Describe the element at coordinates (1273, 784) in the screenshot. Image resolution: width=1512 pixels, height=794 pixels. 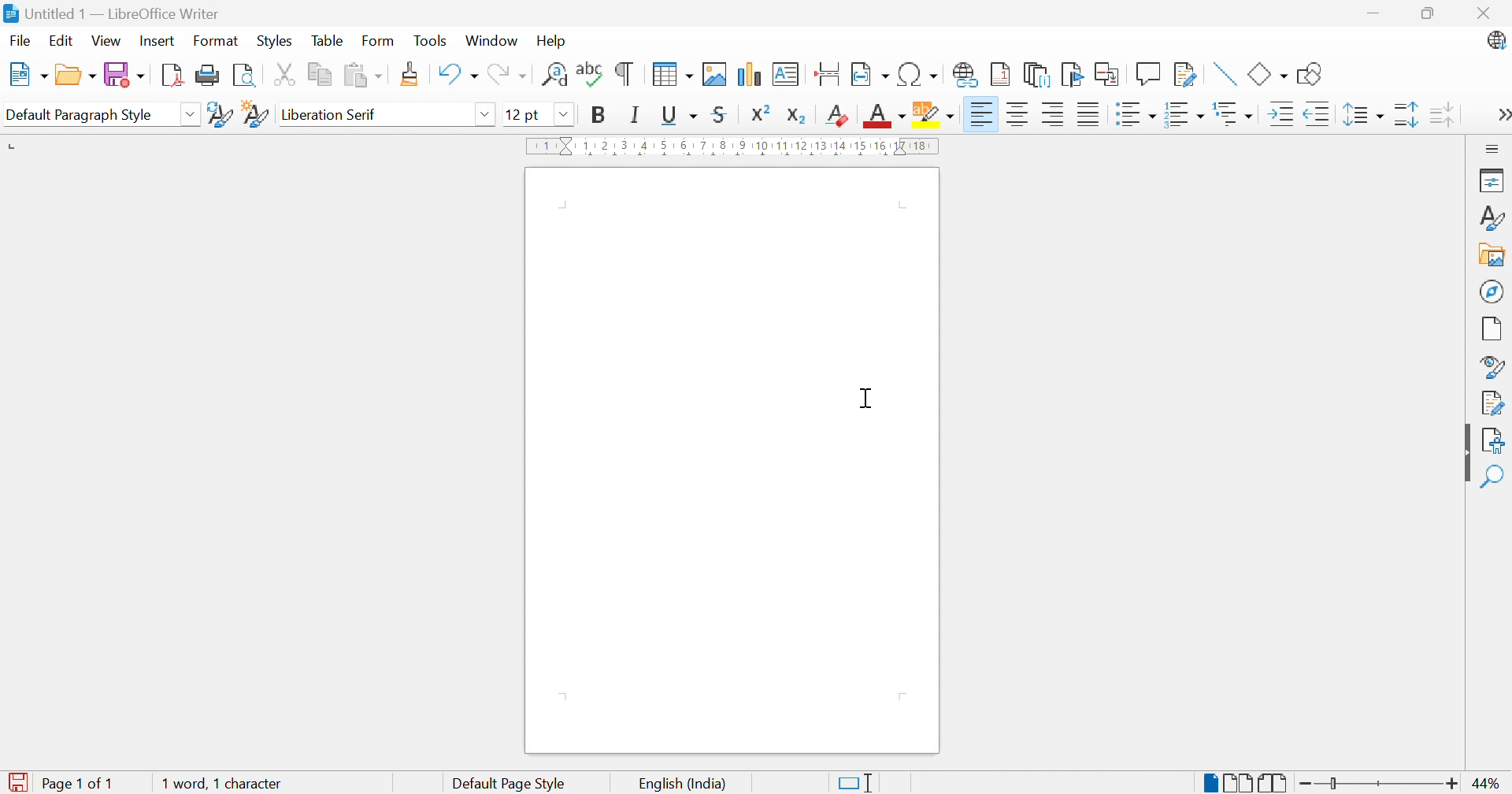
I see `Book view` at that location.